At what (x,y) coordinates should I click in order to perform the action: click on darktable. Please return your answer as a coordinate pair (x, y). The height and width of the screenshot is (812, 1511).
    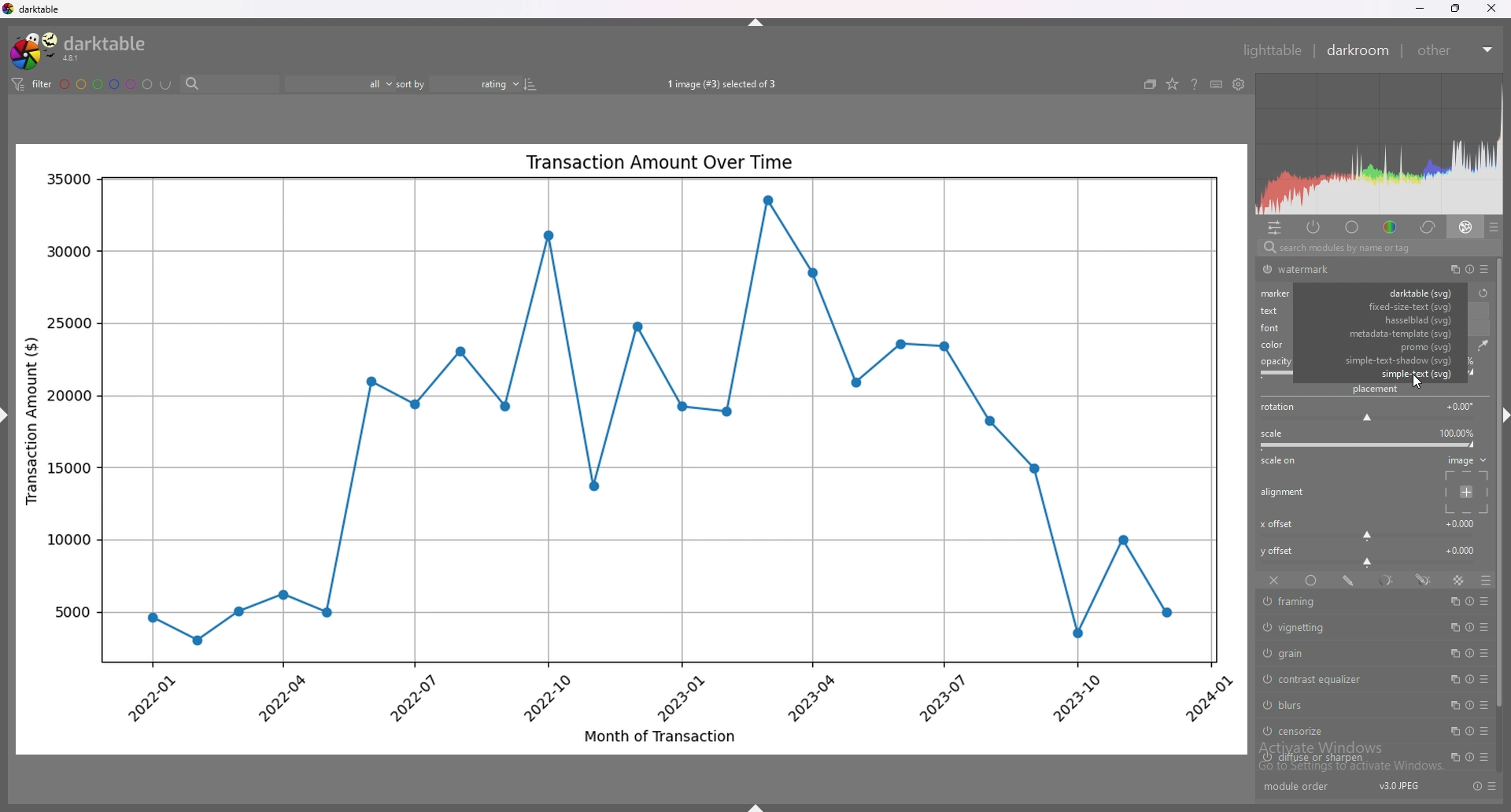
    Looking at the image, I should click on (34, 9).